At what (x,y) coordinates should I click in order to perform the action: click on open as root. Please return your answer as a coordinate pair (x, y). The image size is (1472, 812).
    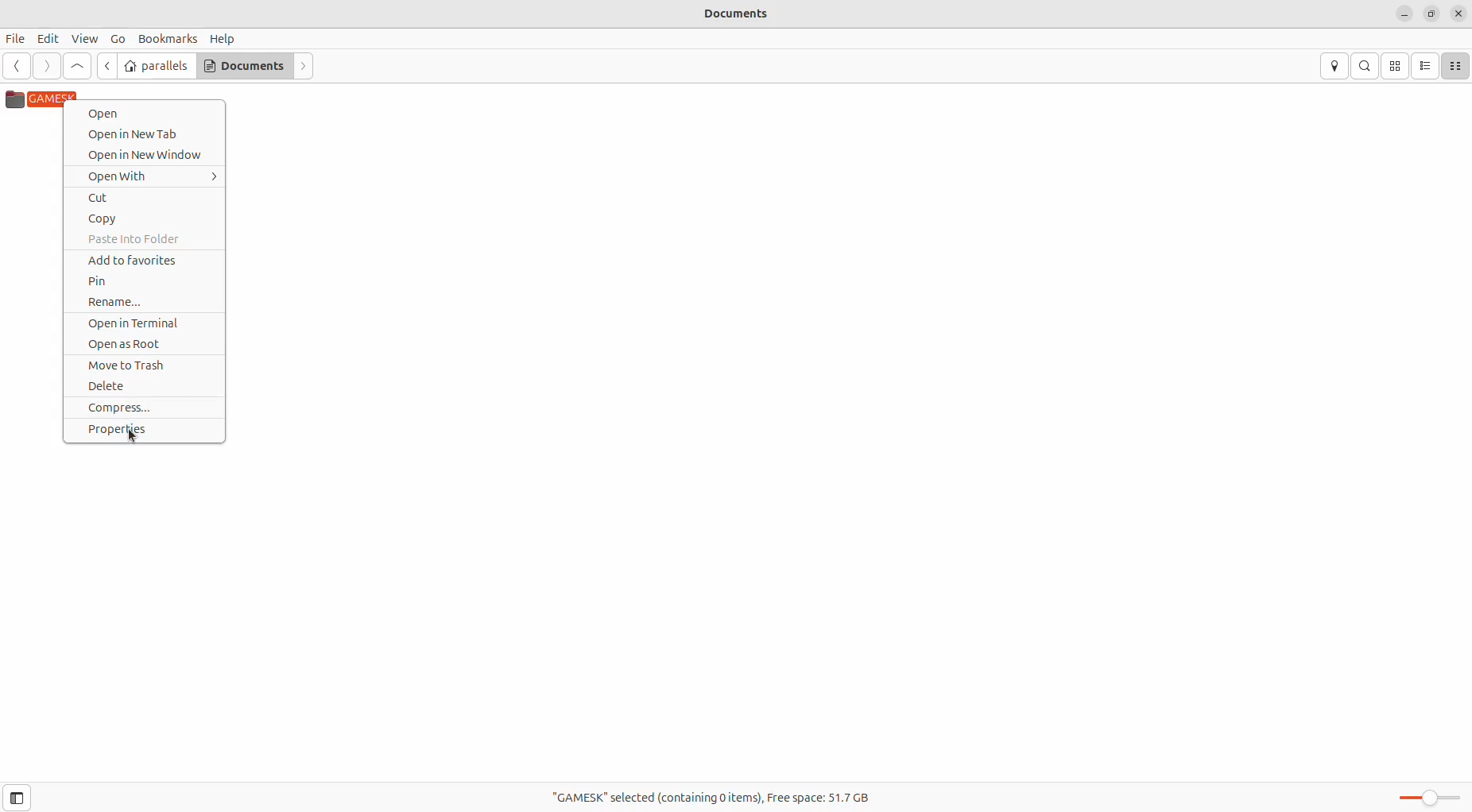
    Looking at the image, I should click on (142, 346).